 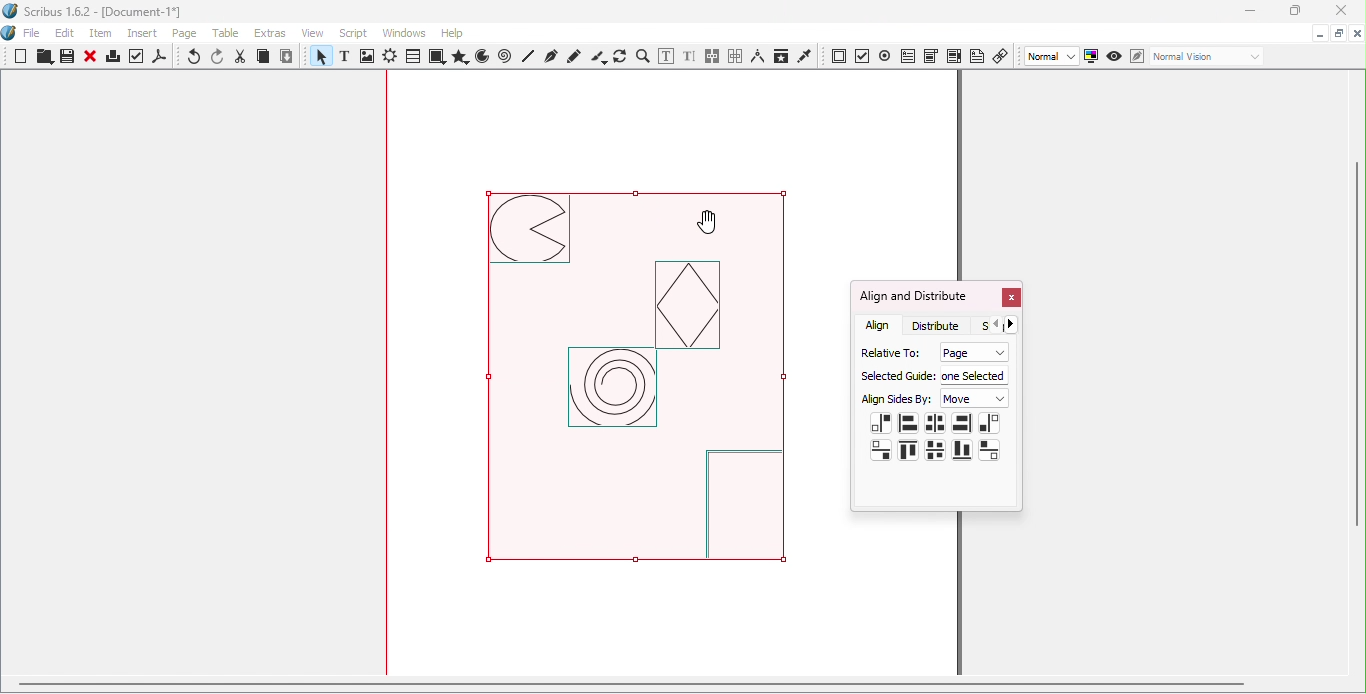 I want to click on Save, so click(x=65, y=57).